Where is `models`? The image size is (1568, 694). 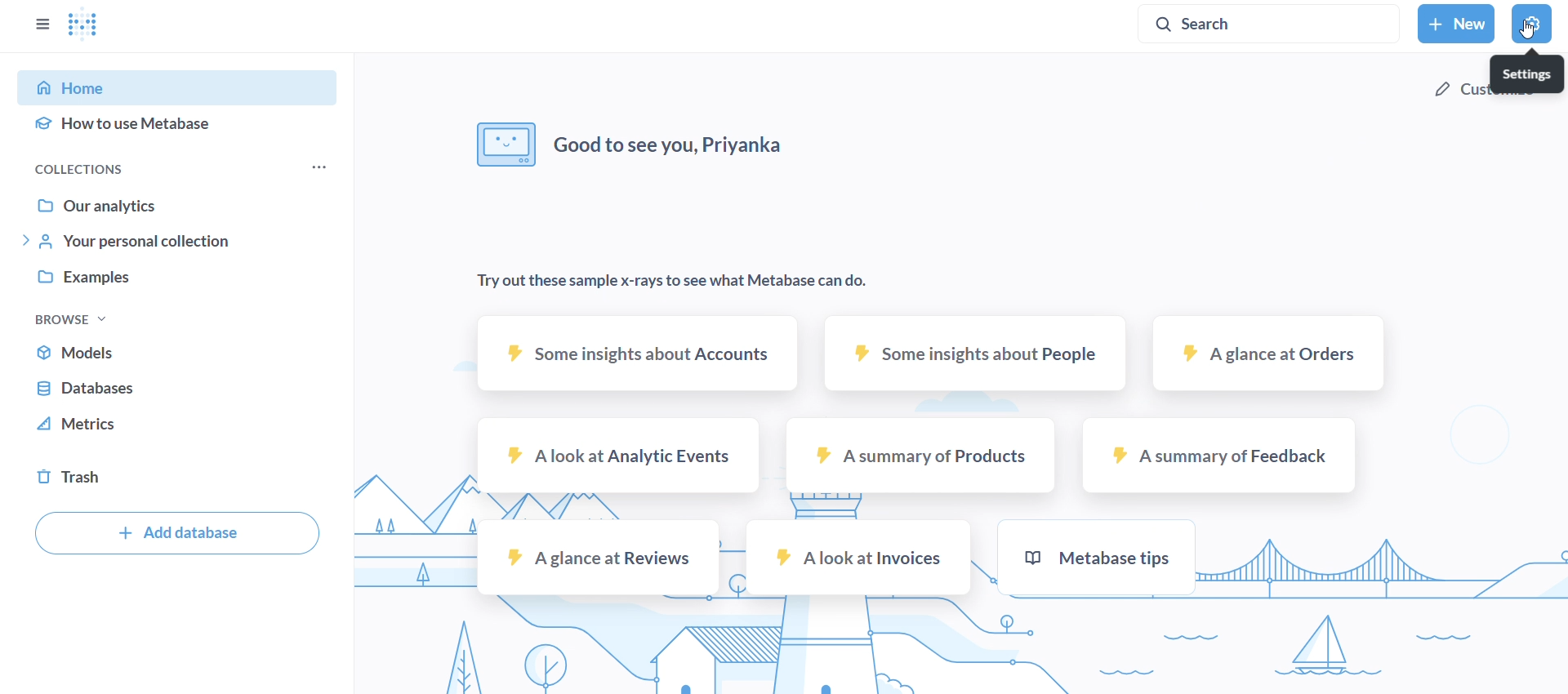
models is located at coordinates (177, 349).